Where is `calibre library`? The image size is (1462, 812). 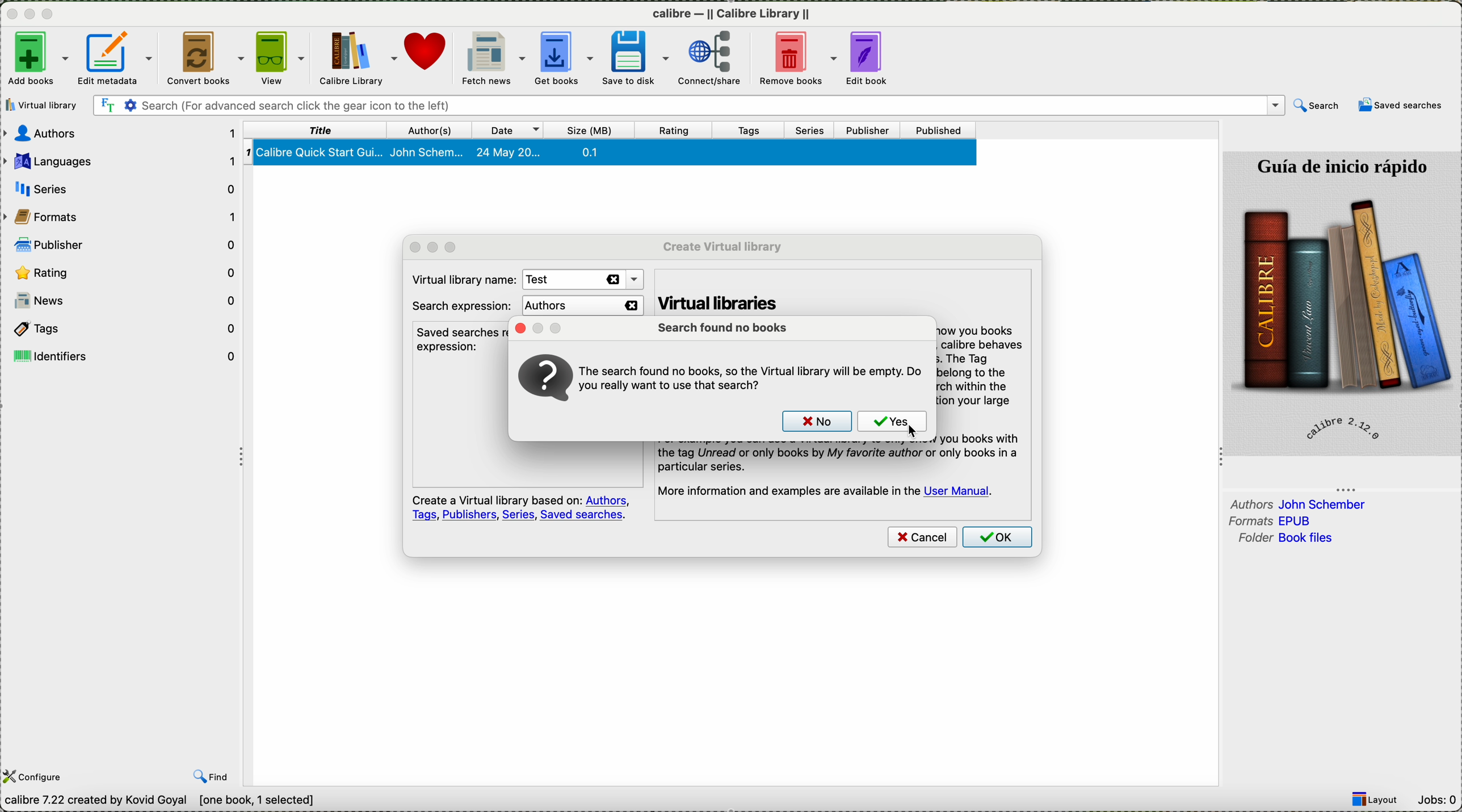
calibre library is located at coordinates (360, 58).